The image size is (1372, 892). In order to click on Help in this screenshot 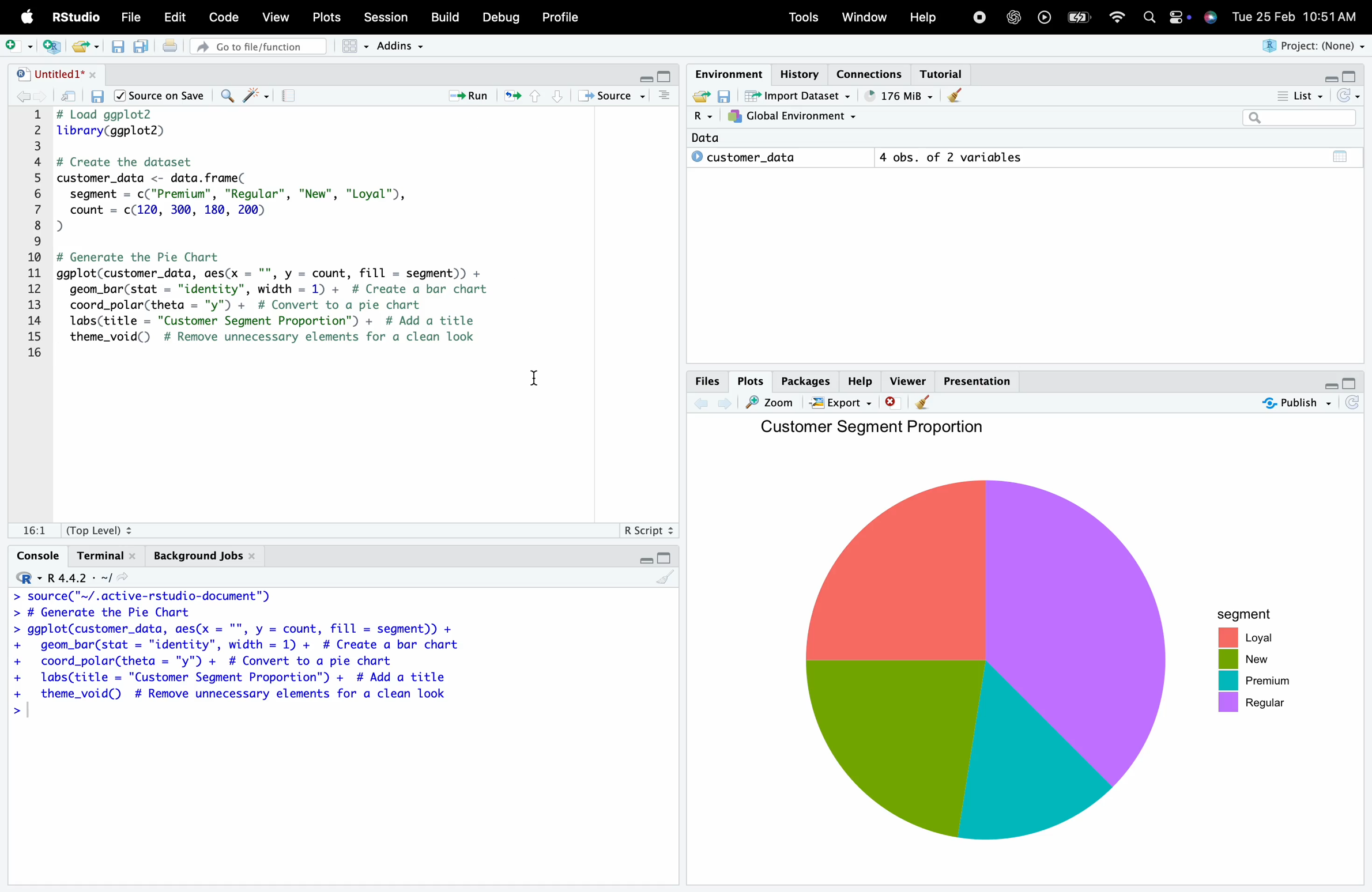, I will do `click(860, 378)`.